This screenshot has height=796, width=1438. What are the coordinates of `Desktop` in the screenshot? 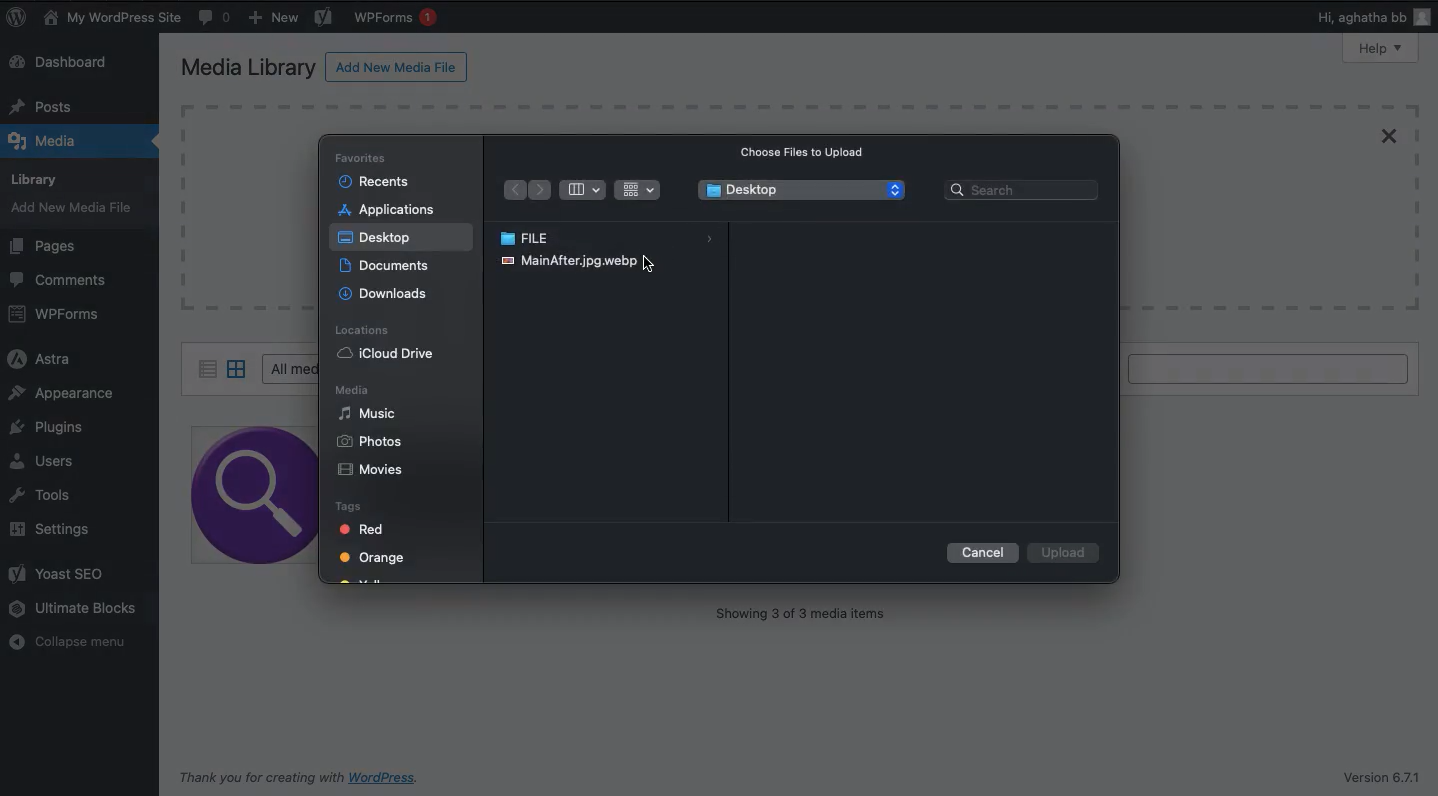 It's located at (375, 236).